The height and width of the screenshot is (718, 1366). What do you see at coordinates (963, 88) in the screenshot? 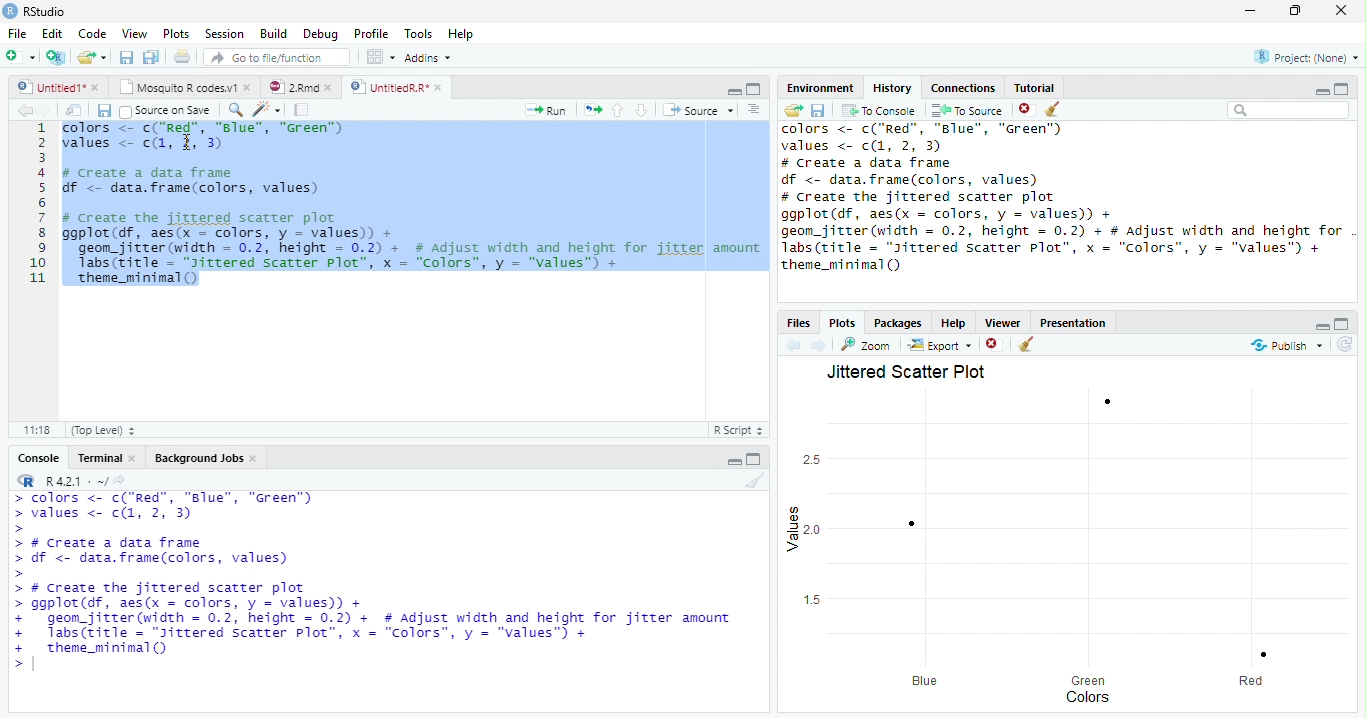
I see `Connections` at bounding box center [963, 88].